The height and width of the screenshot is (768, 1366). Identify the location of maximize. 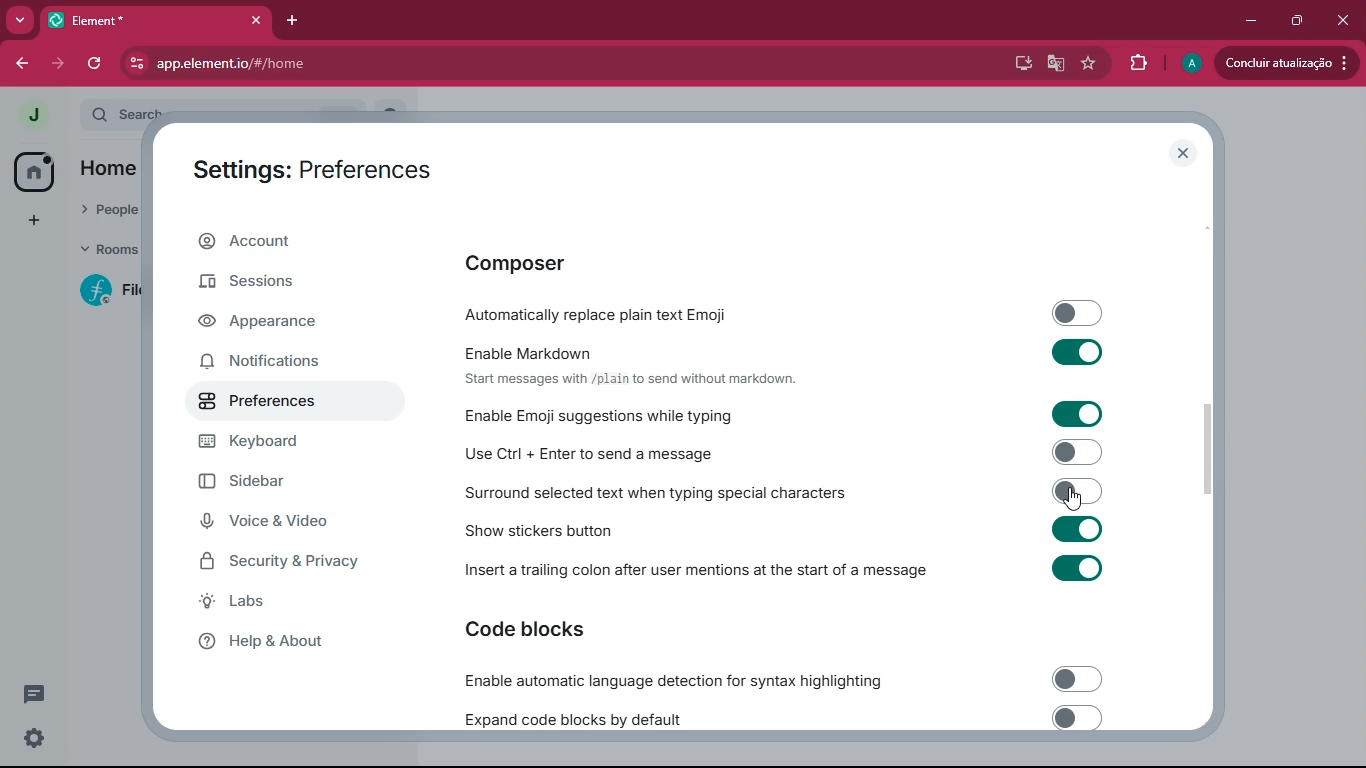
(1293, 18).